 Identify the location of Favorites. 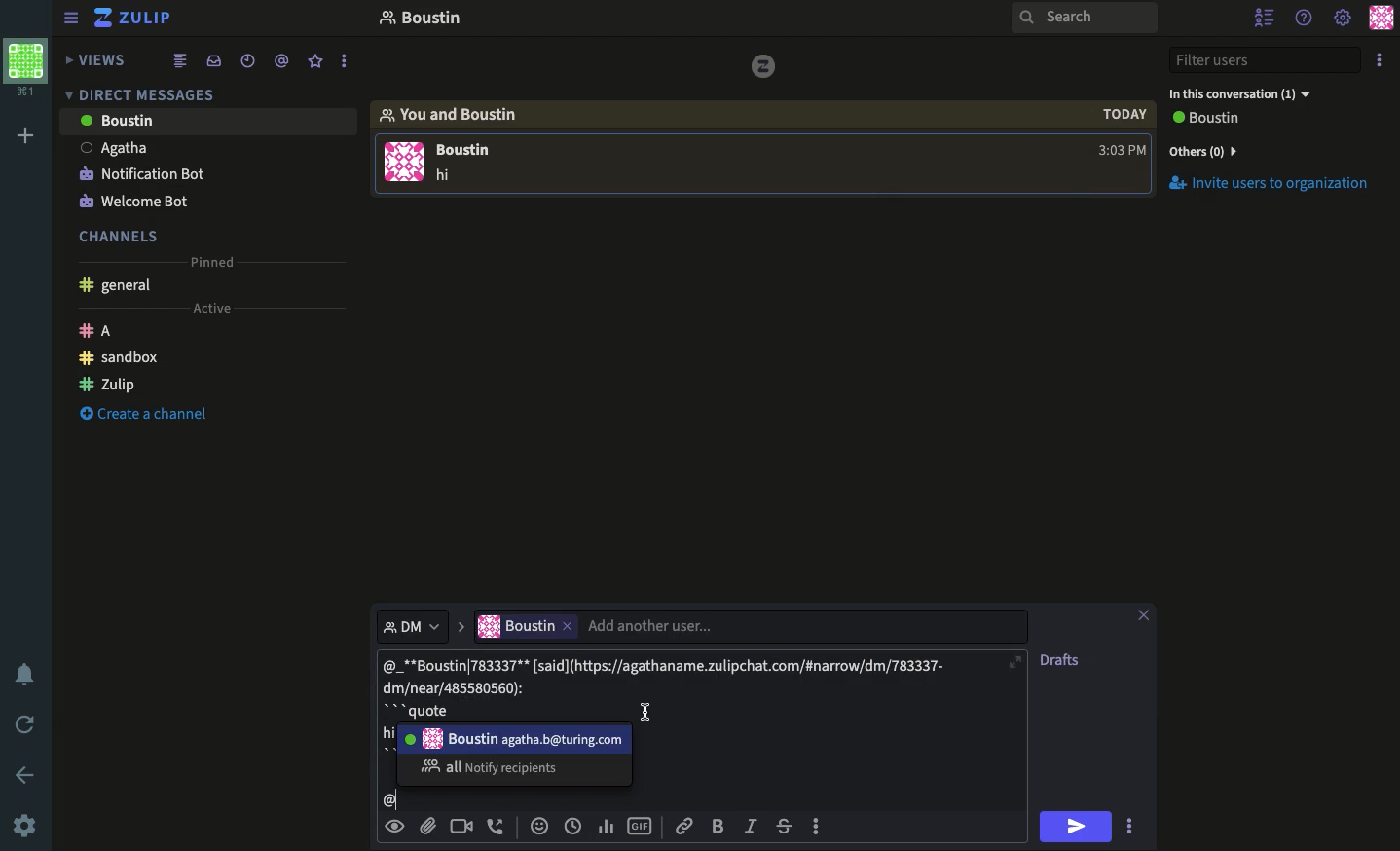
(316, 61).